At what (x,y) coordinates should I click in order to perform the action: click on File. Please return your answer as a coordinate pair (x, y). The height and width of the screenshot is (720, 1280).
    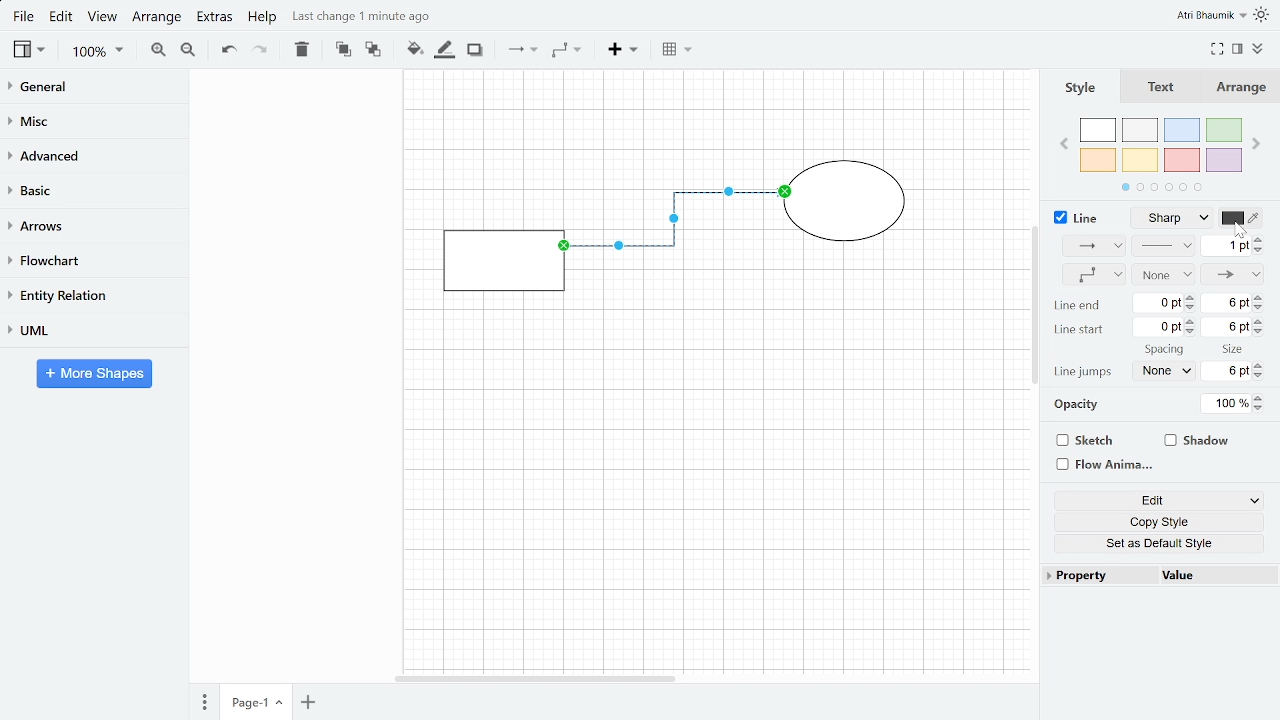
    Looking at the image, I should click on (22, 17).